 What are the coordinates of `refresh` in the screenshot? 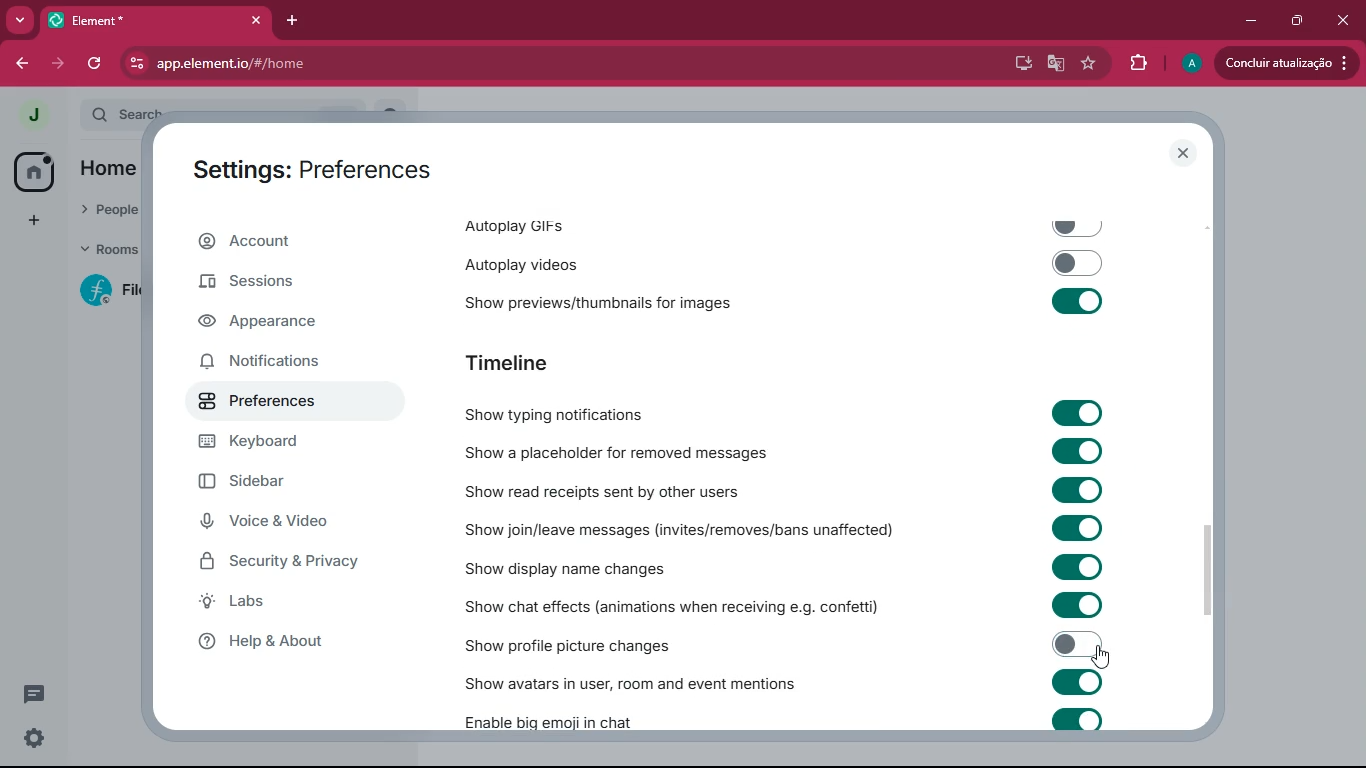 It's located at (94, 65).